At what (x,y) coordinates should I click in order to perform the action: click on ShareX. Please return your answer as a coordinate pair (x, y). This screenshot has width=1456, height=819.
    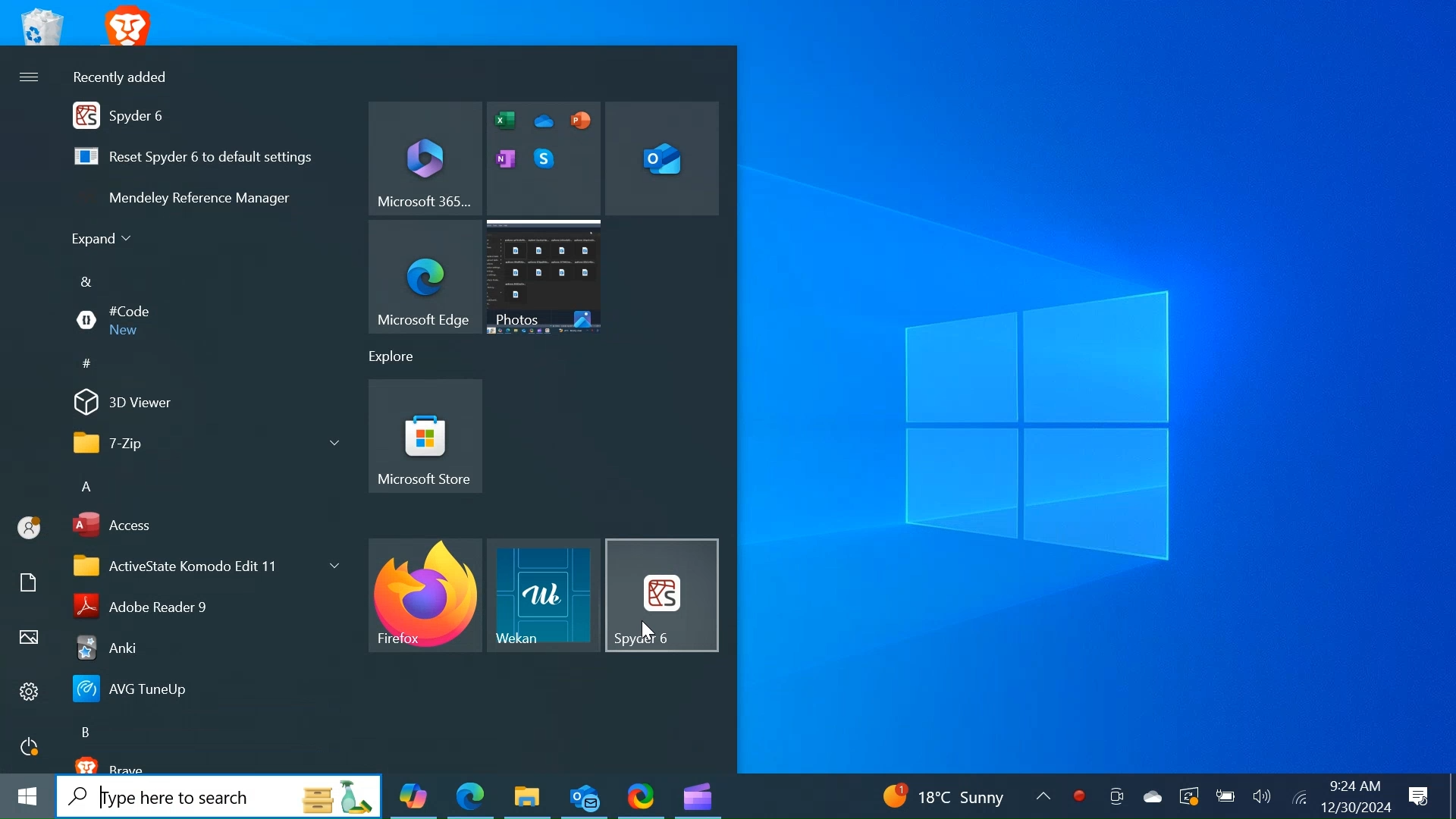
    Looking at the image, I should click on (642, 795).